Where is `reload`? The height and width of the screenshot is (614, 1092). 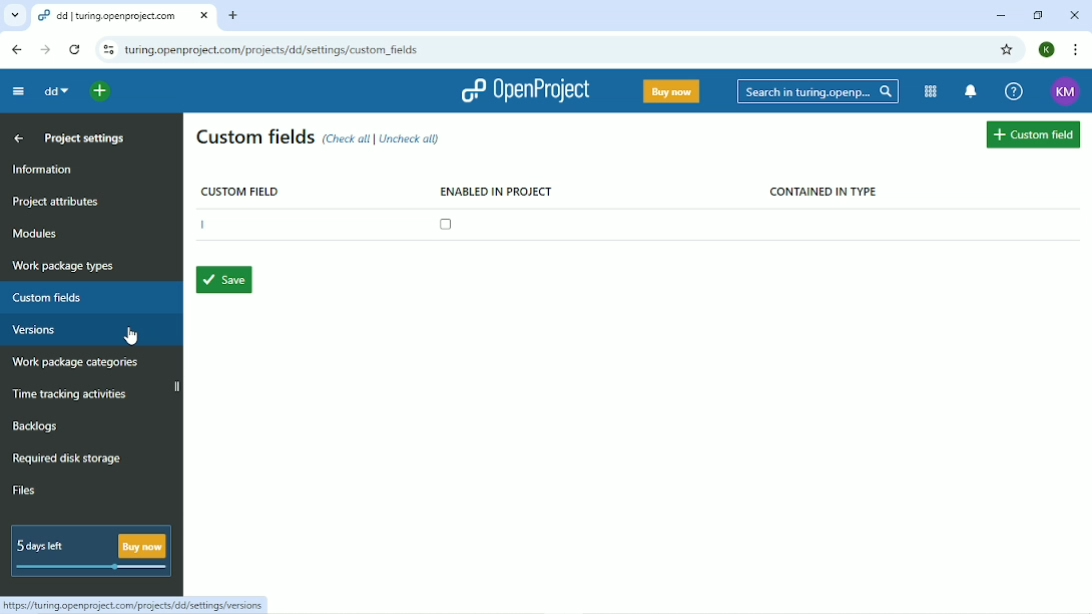
reload is located at coordinates (73, 48).